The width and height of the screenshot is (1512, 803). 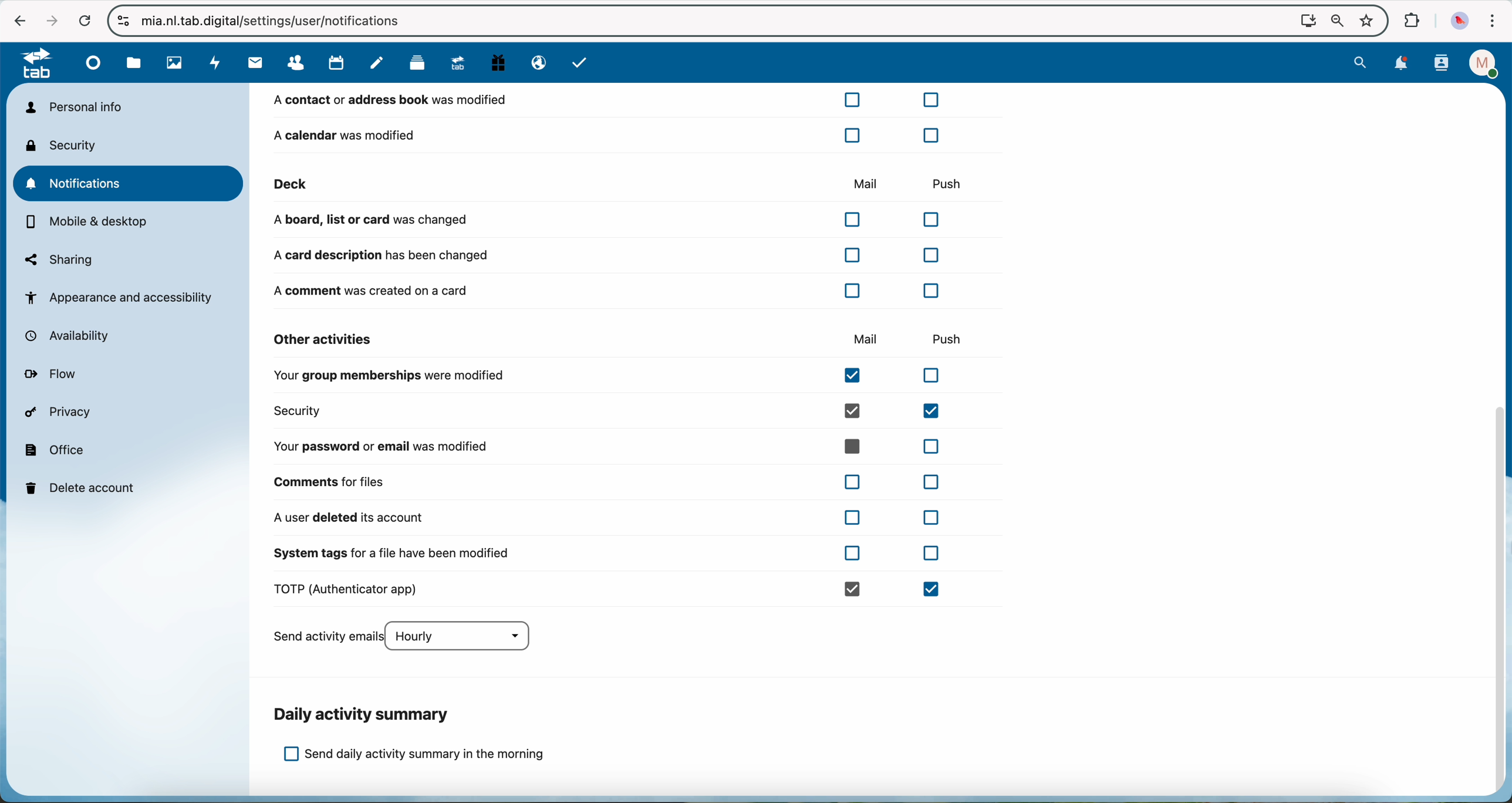 What do you see at coordinates (414, 755) in the screenshot?
I see `send daily activity summary in the morning` at bounding box center [414, 755].